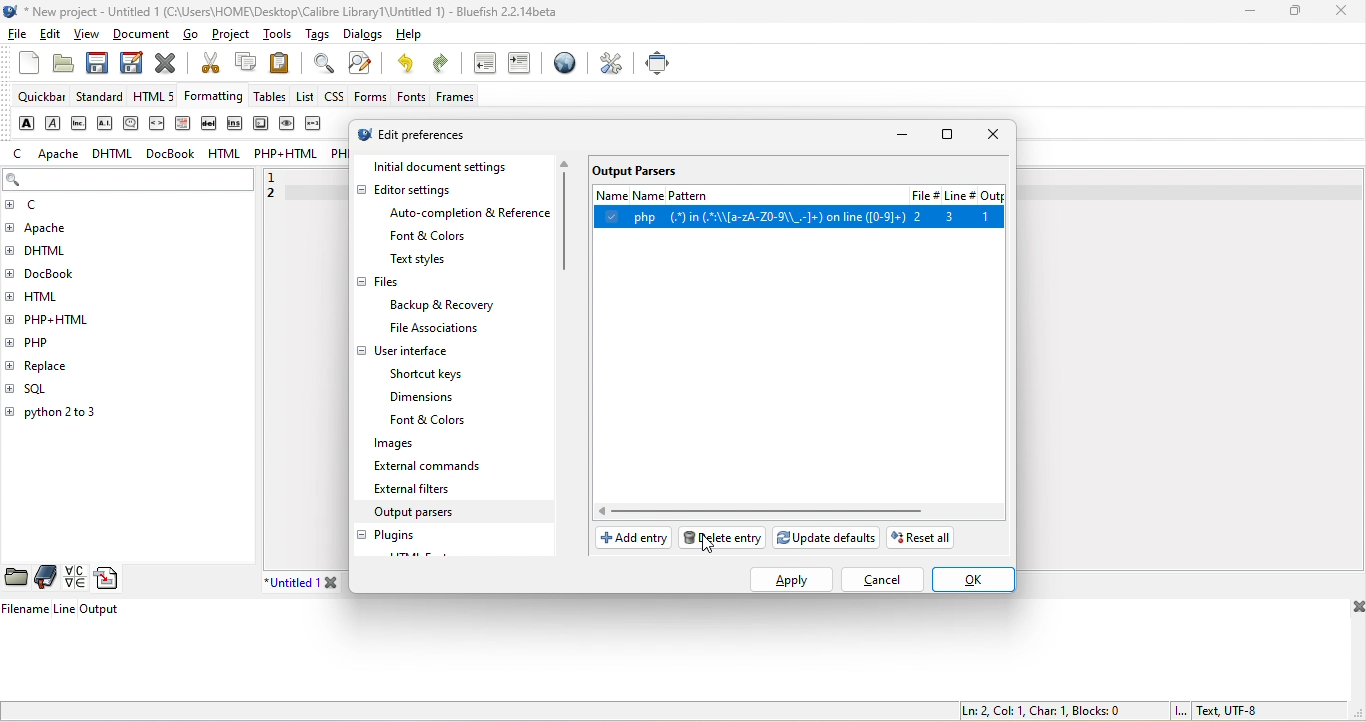 The image size is (1366, 722). I want to click on find and replace, so click(365, 64).